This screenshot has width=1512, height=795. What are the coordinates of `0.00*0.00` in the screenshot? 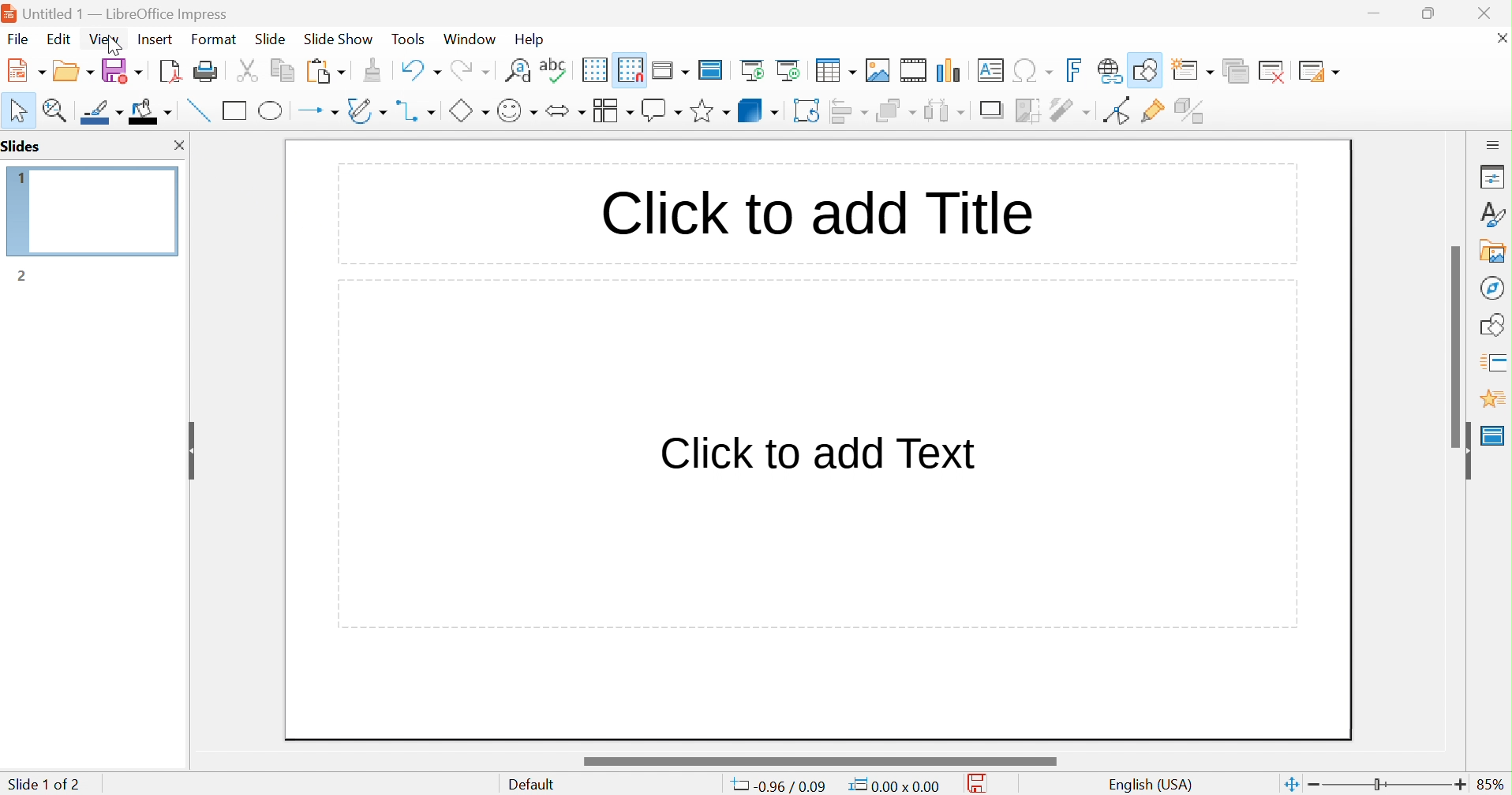 It's located at (893, 786).